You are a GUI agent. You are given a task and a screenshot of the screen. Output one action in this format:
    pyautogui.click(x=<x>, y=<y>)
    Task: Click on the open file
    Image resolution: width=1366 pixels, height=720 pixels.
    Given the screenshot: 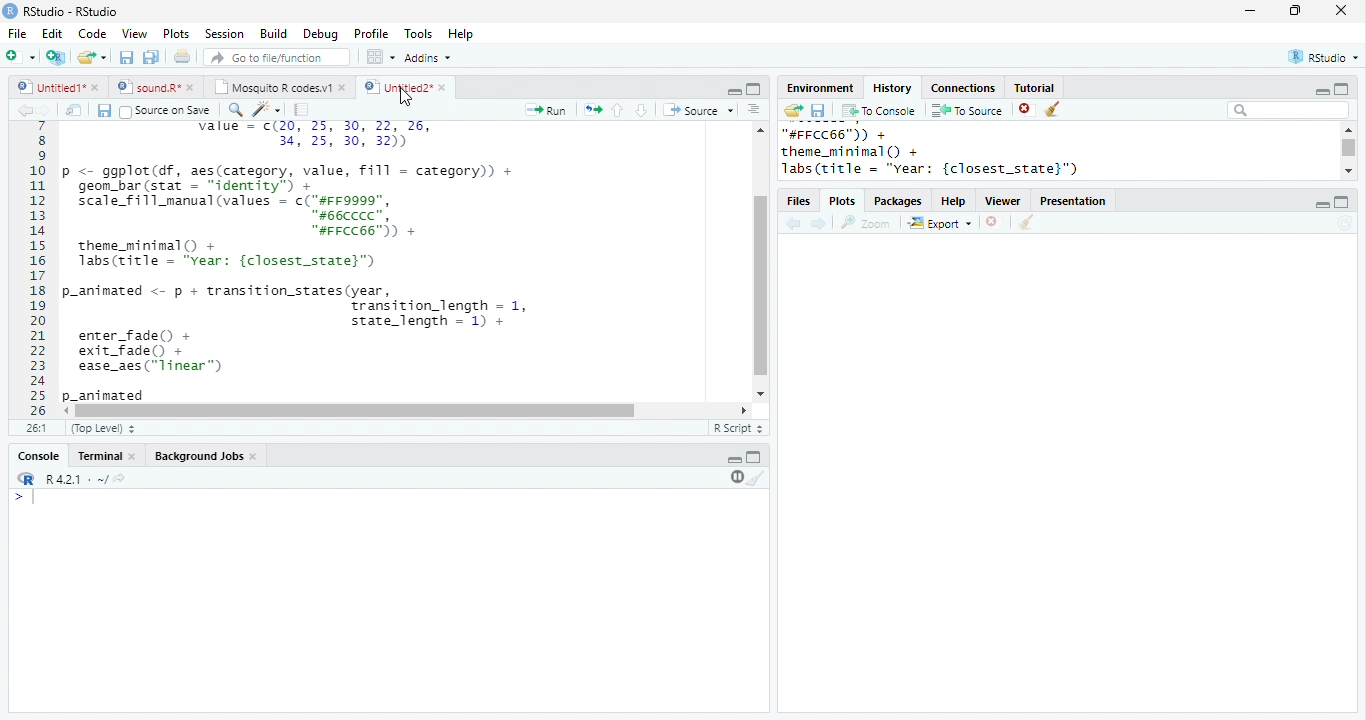 What is the action you would take?
    pyautogui.click(x=92, y=58)
    